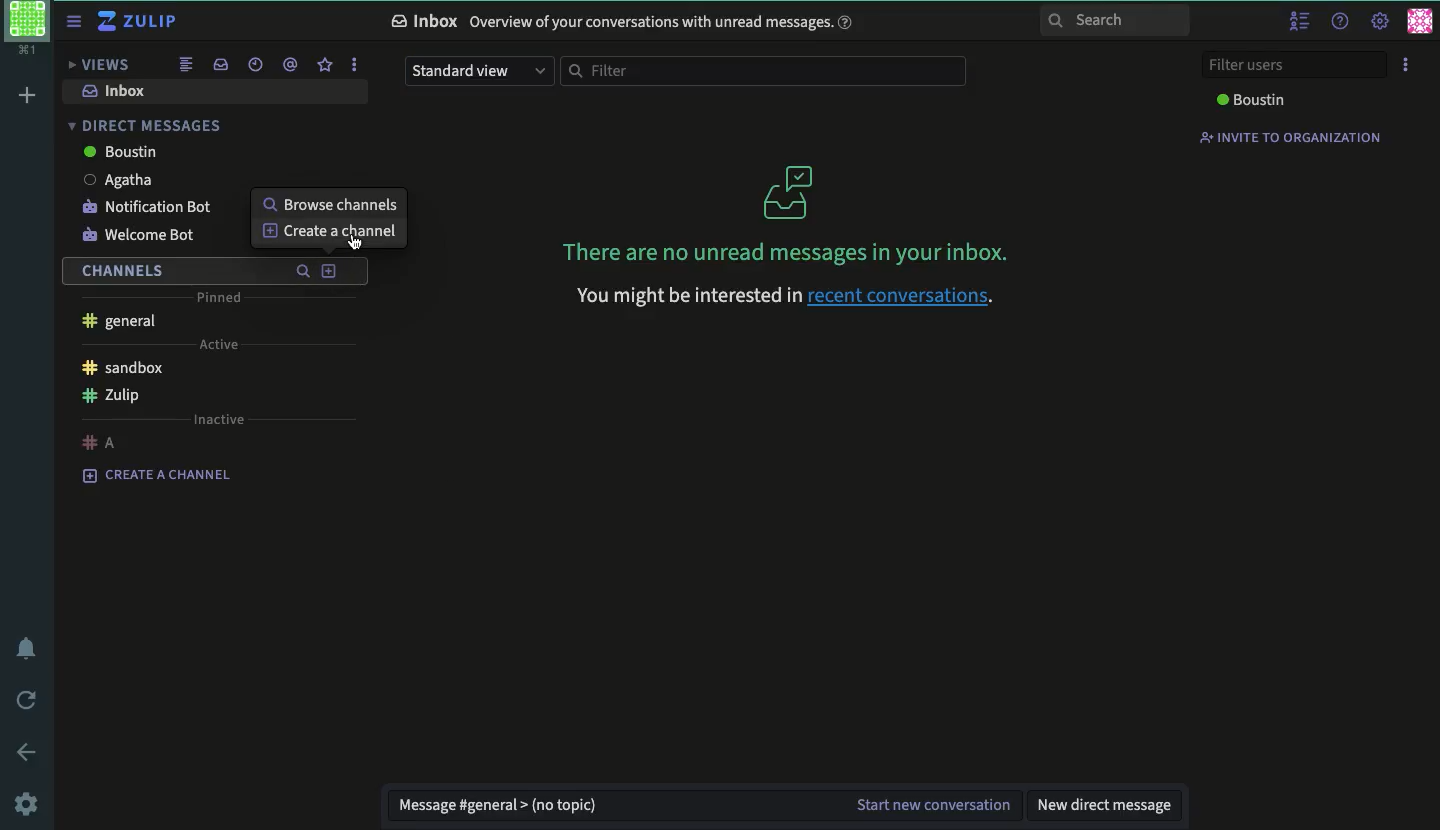 The height and width of the screenshot is (830, 1440). What do you see at coordinates (767, 70) in the screenshot?
I see `filter` at bounding box center [767, 70].